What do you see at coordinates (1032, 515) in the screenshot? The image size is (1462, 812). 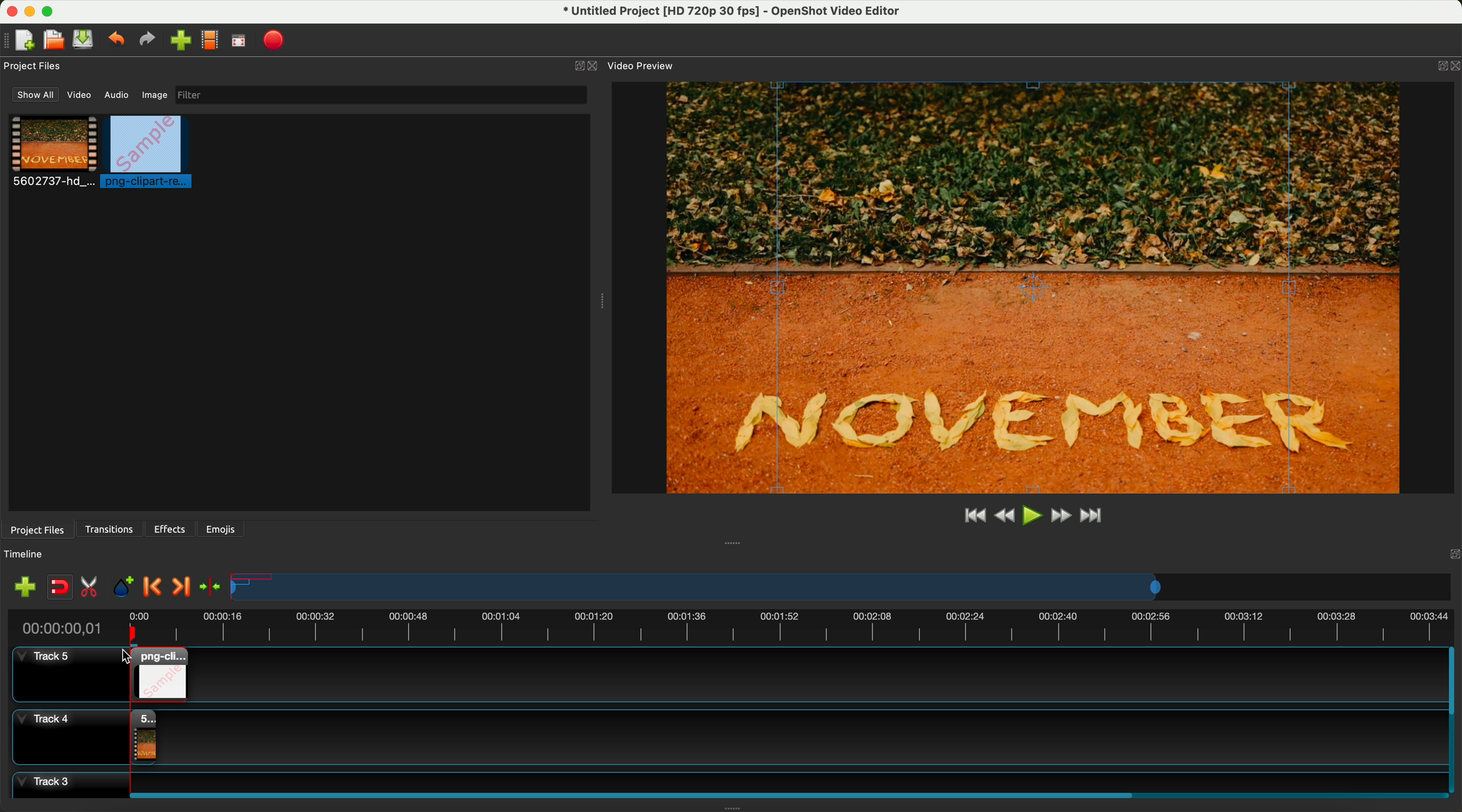 I see `play` at bounding box center [1032, 515].